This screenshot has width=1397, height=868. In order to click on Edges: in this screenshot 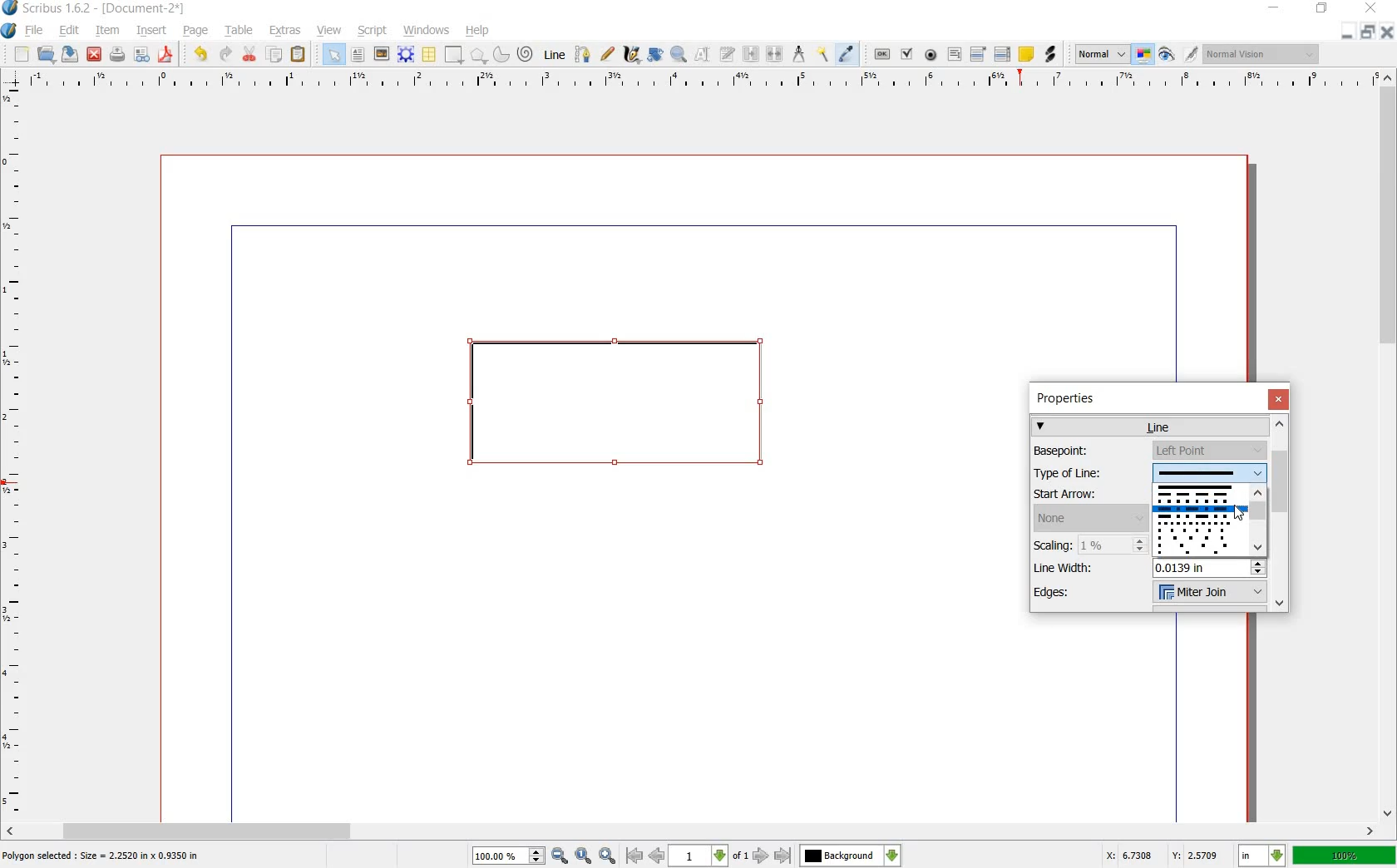, I will do `click(1074, 594)`.